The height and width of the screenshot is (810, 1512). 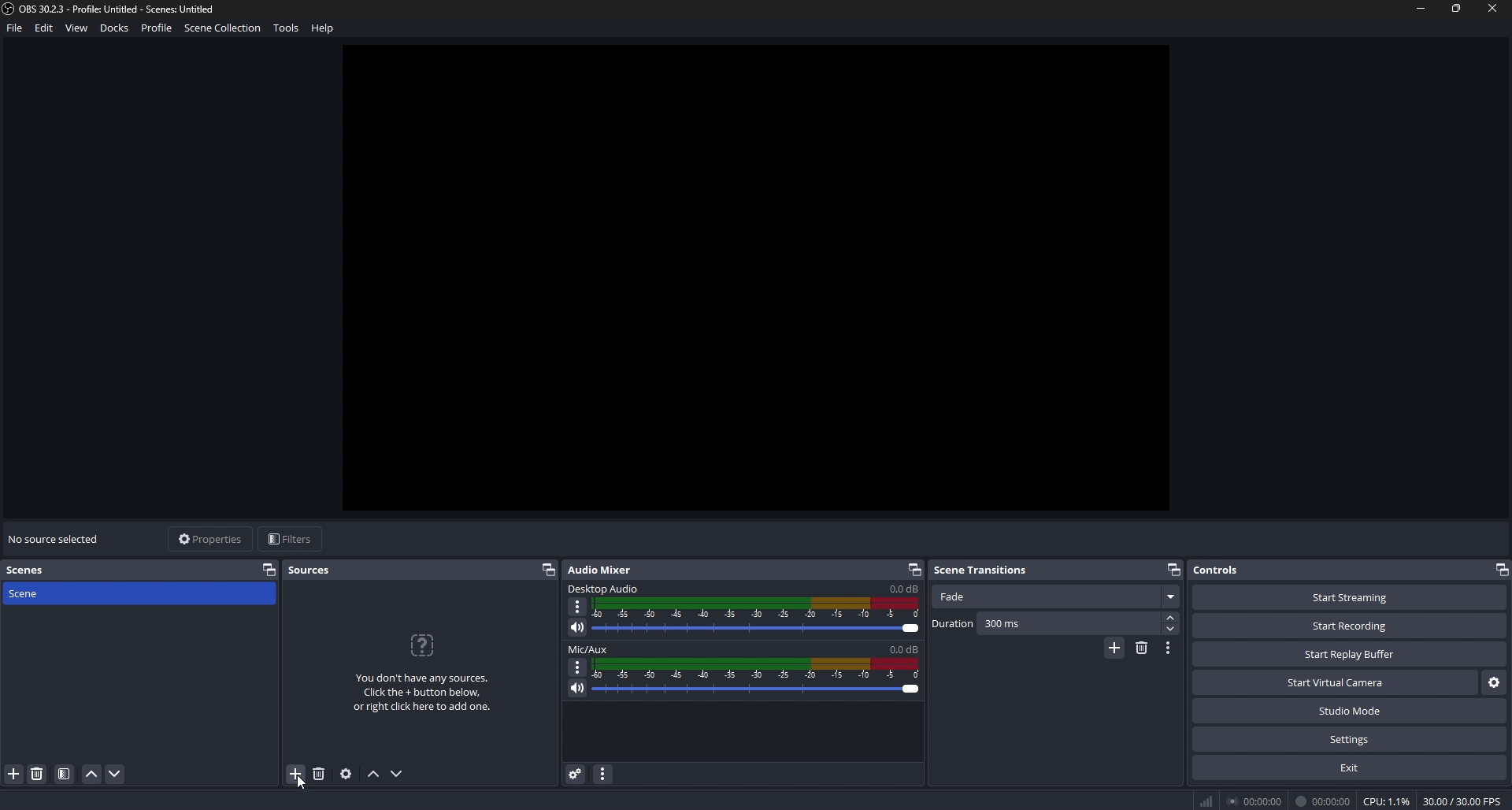 What do you see at coordinates (591, 650) in the screenshot?
I see `mic/aux` at bounding box center [591, 650].